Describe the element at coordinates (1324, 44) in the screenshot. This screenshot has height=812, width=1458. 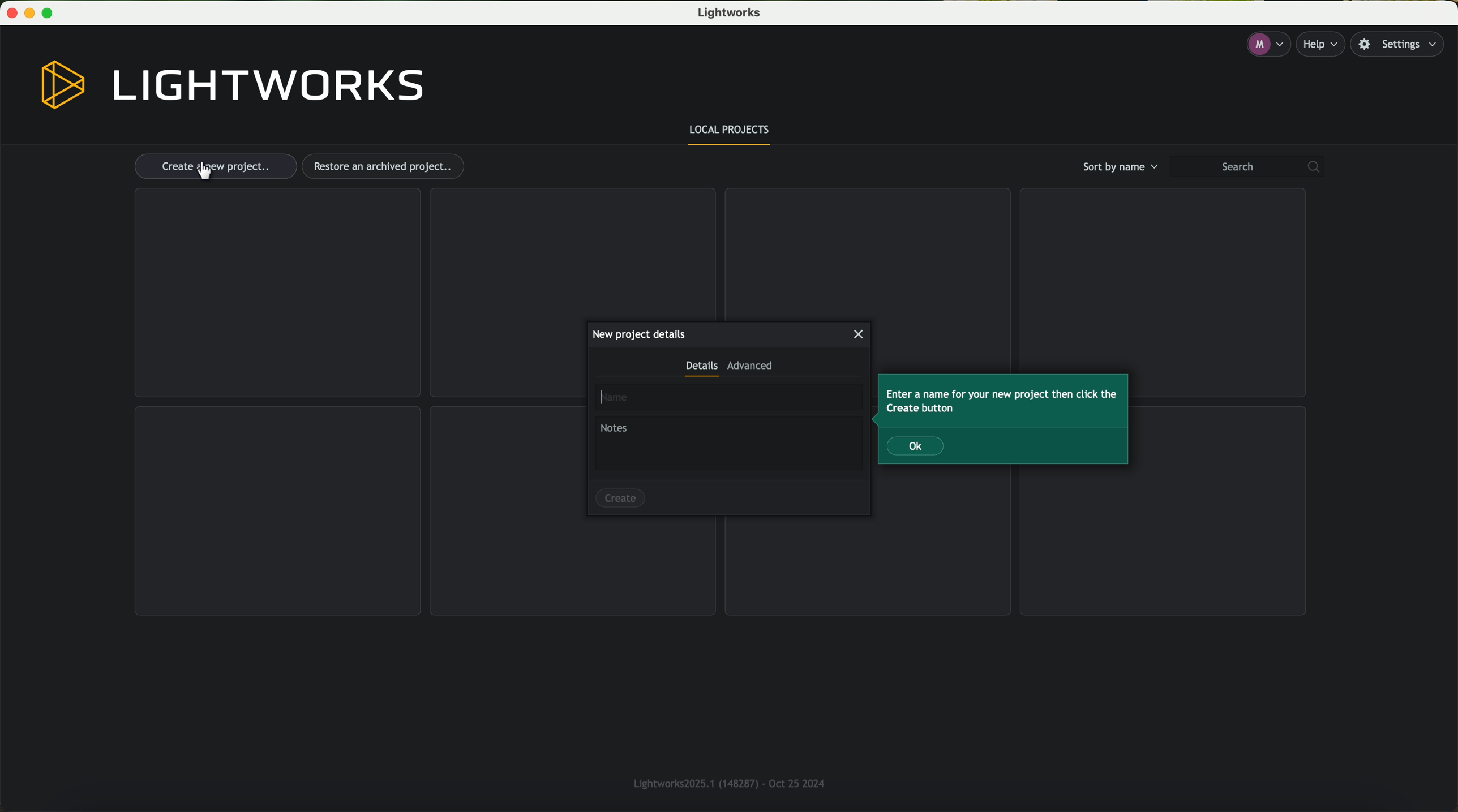
I see `help` at that location.